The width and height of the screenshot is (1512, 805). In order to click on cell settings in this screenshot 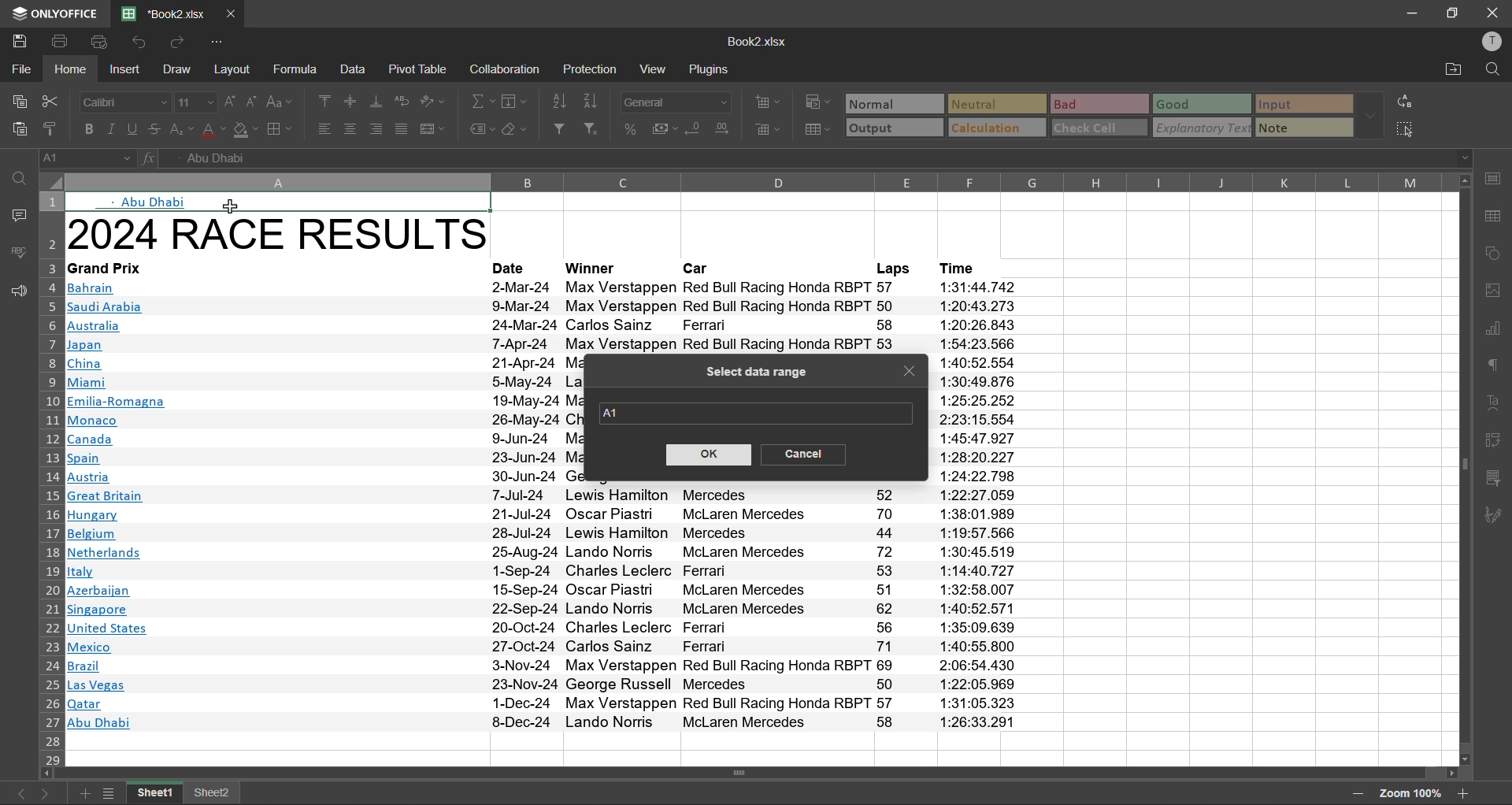, I will do `click(1493, 178)`.